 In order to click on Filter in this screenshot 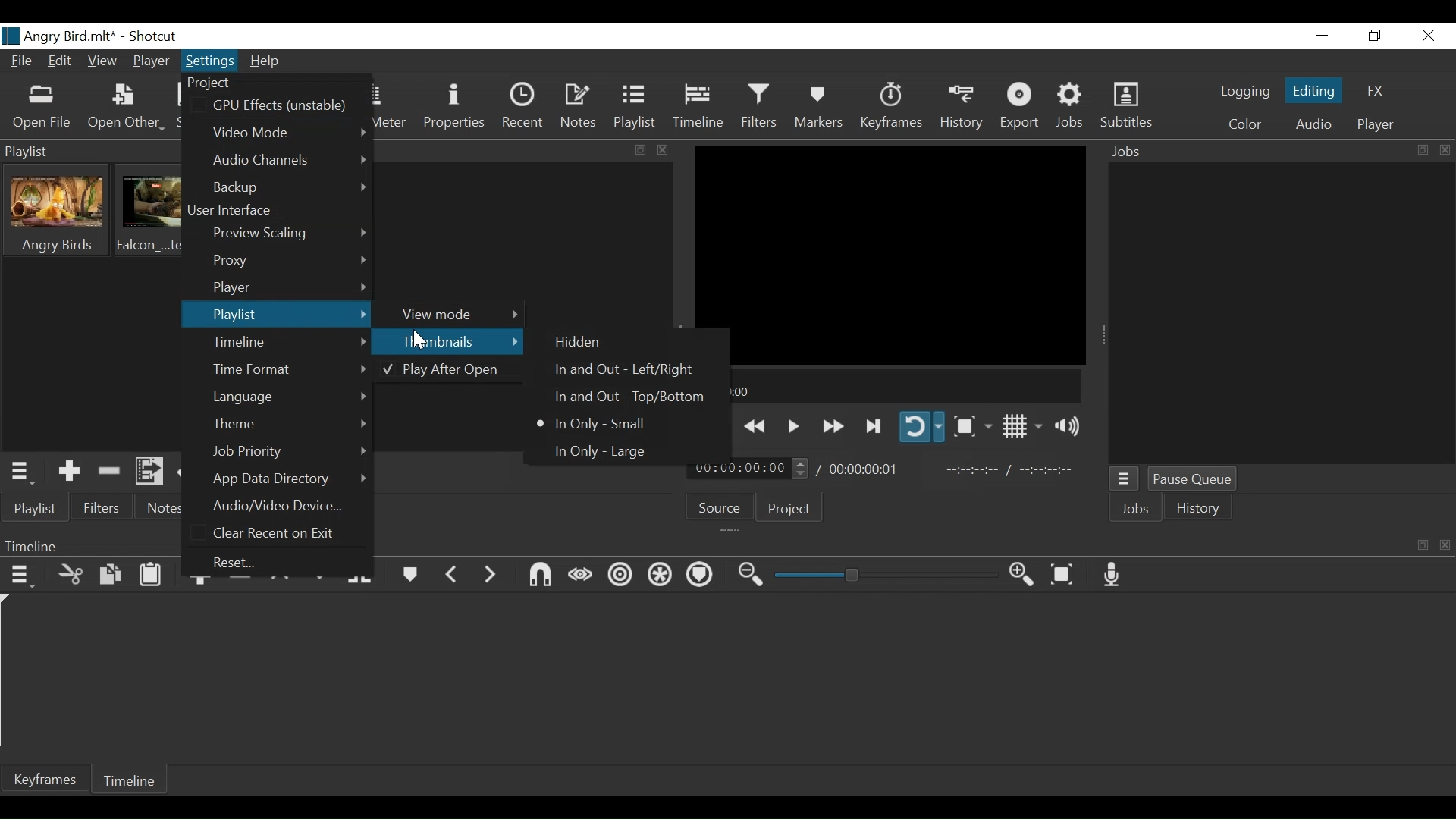, I will do `click(759, 108)`.